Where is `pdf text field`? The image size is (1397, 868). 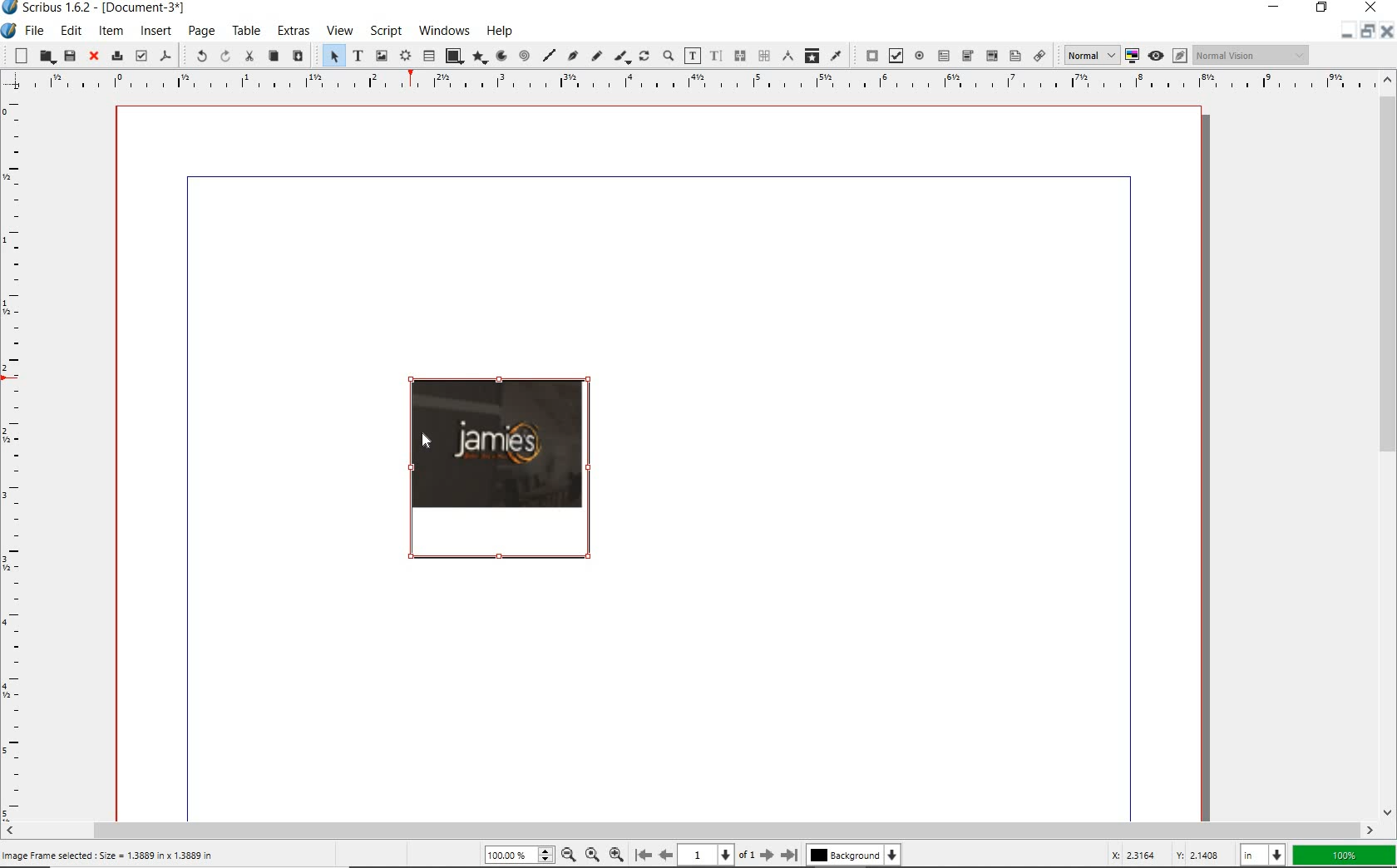 pdf text field is located at coordinates (945, 57).